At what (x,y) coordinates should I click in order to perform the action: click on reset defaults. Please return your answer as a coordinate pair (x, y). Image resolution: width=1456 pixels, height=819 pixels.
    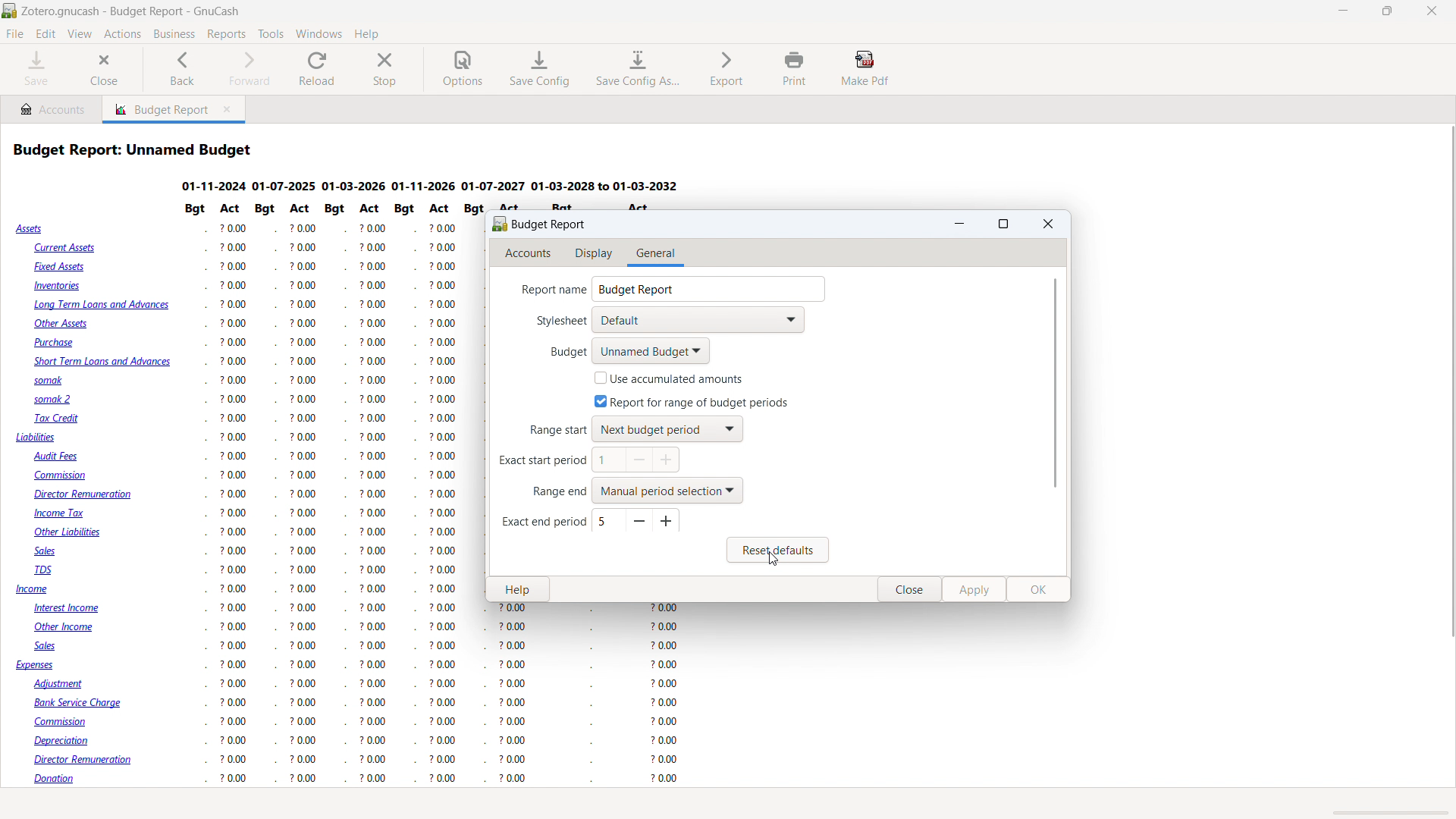
    Looking at the image, I should click on (778, 550).